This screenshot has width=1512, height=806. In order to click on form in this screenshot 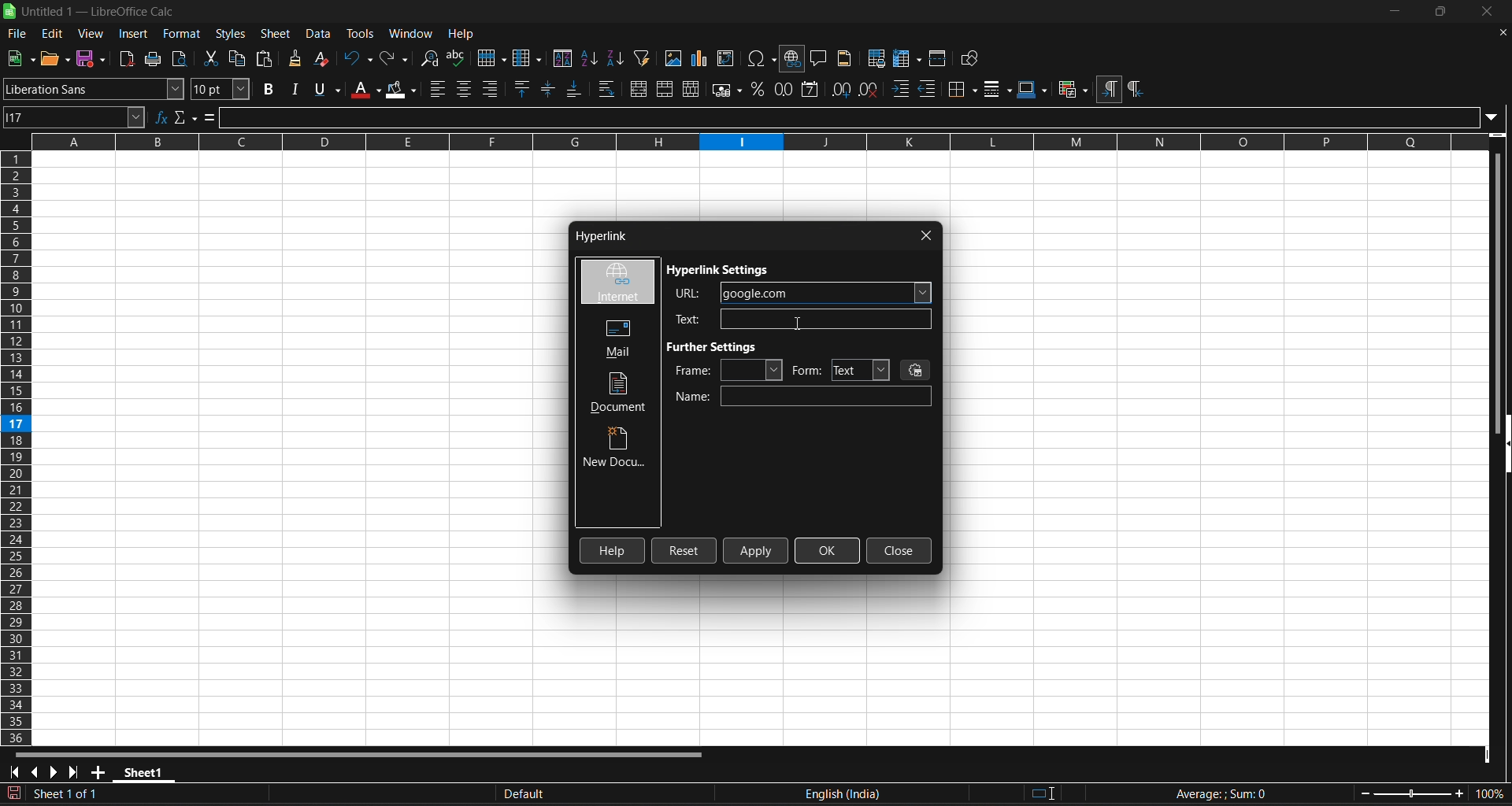, I will do `click(840, 370)`.